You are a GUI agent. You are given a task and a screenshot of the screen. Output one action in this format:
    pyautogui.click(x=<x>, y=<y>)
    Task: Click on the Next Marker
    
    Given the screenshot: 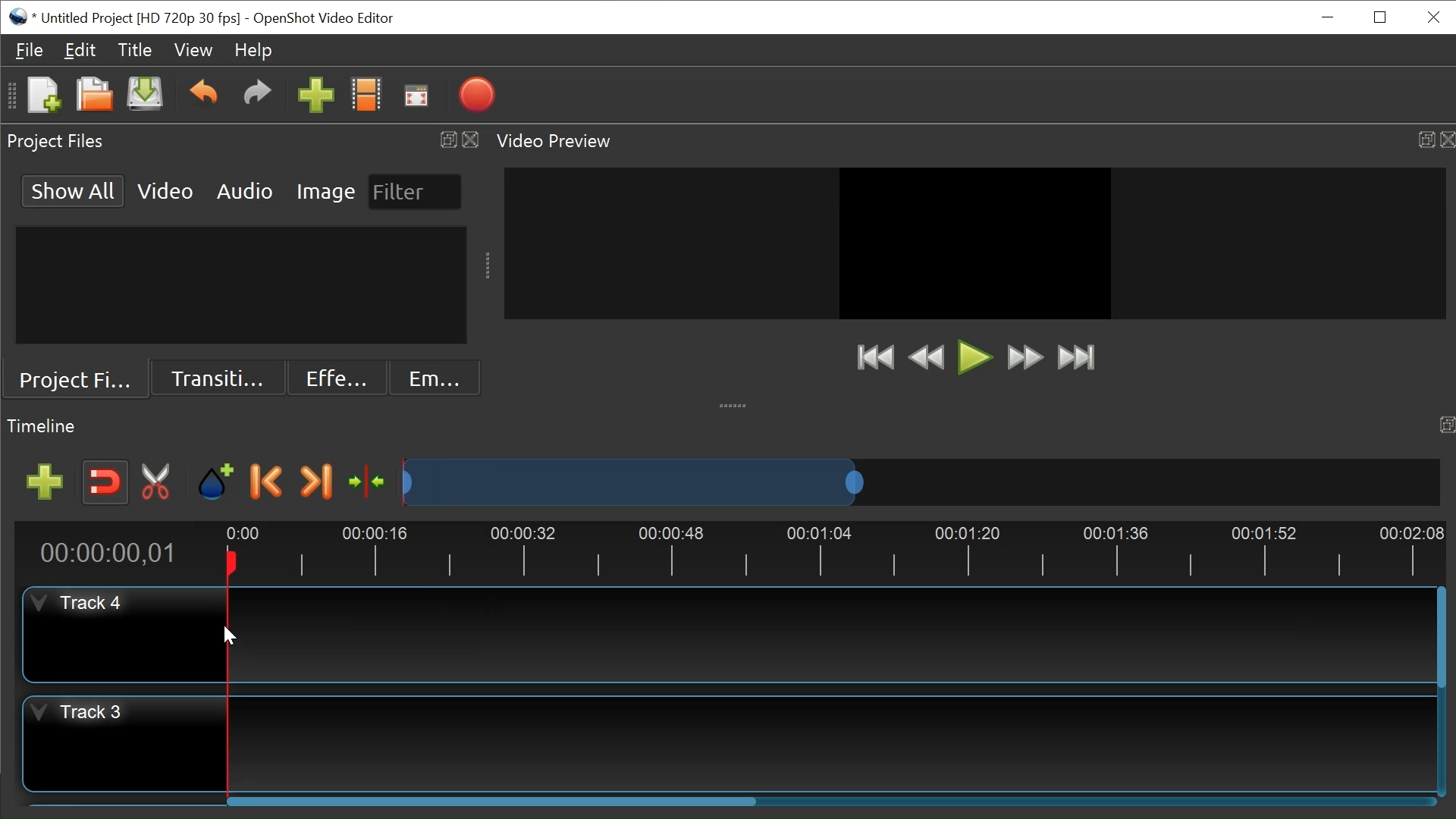 What is the action you would take?
    pyautogui.click(x=315, y=482)
    